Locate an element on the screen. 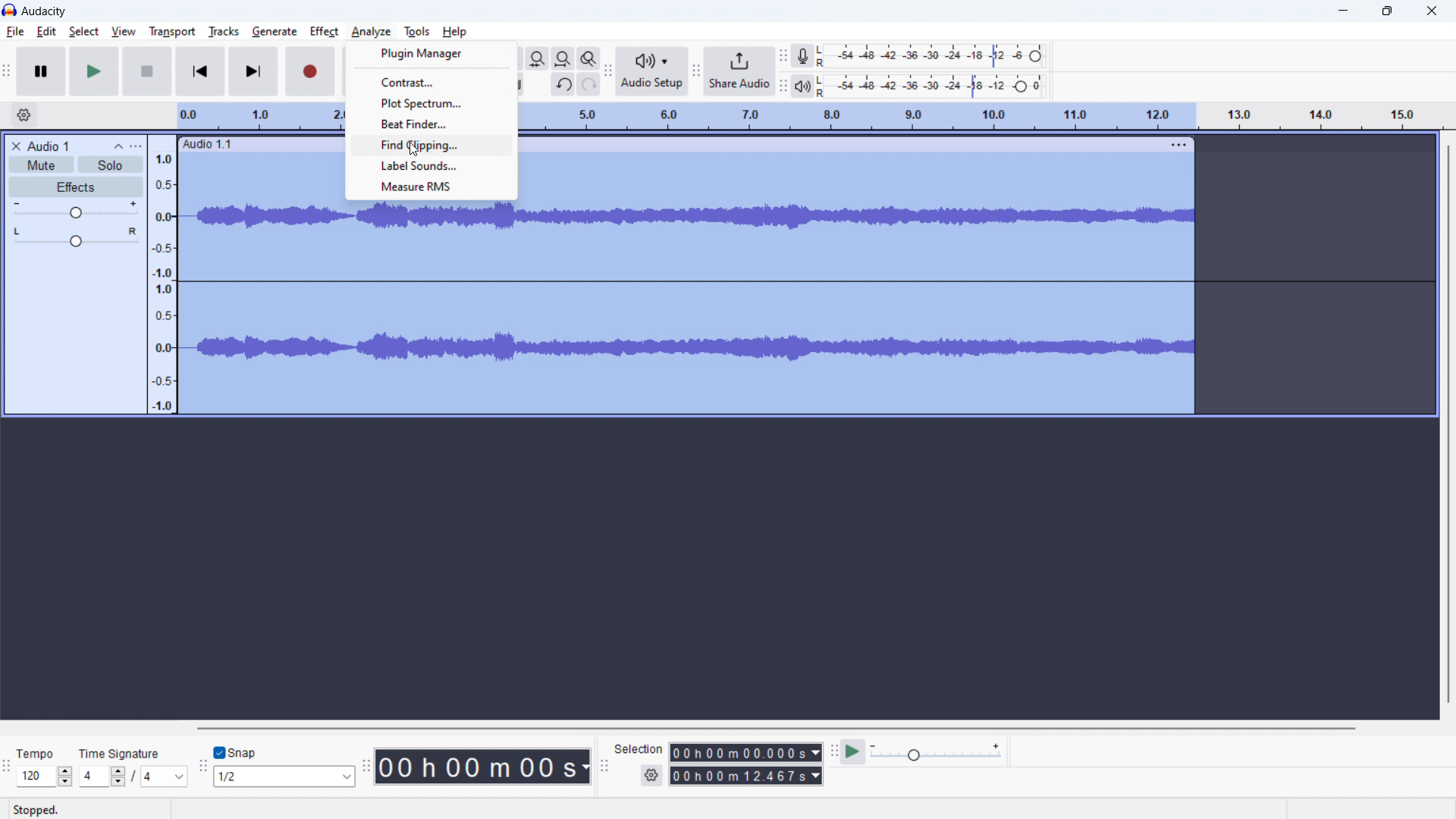 Image resolution: width=1456 pixels, height=819 pixels. audio setup is located at coordinates (652, 72).